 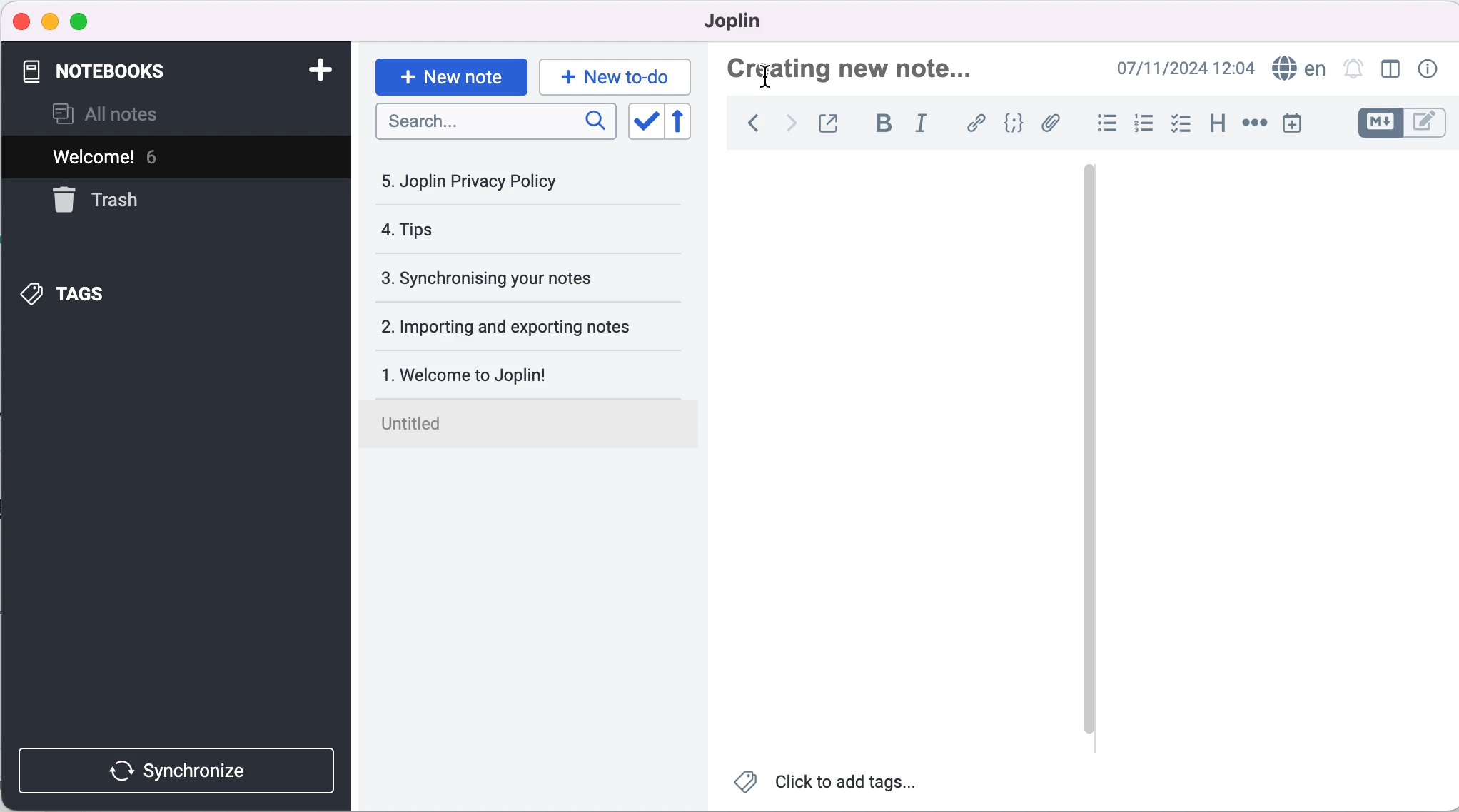 I want to click on search, so click(x=495, y=121).